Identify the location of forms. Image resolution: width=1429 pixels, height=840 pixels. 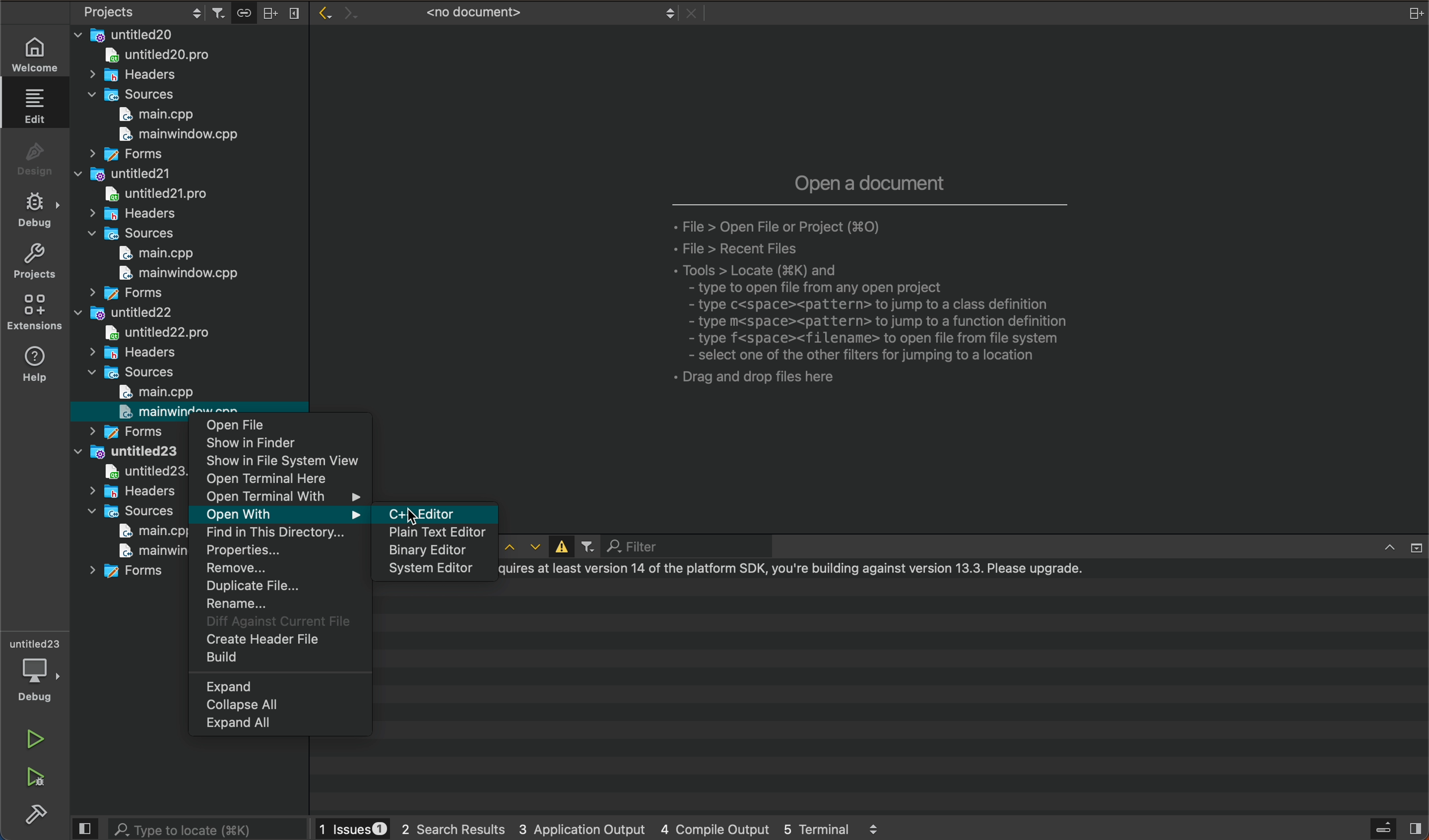
(133, 574).